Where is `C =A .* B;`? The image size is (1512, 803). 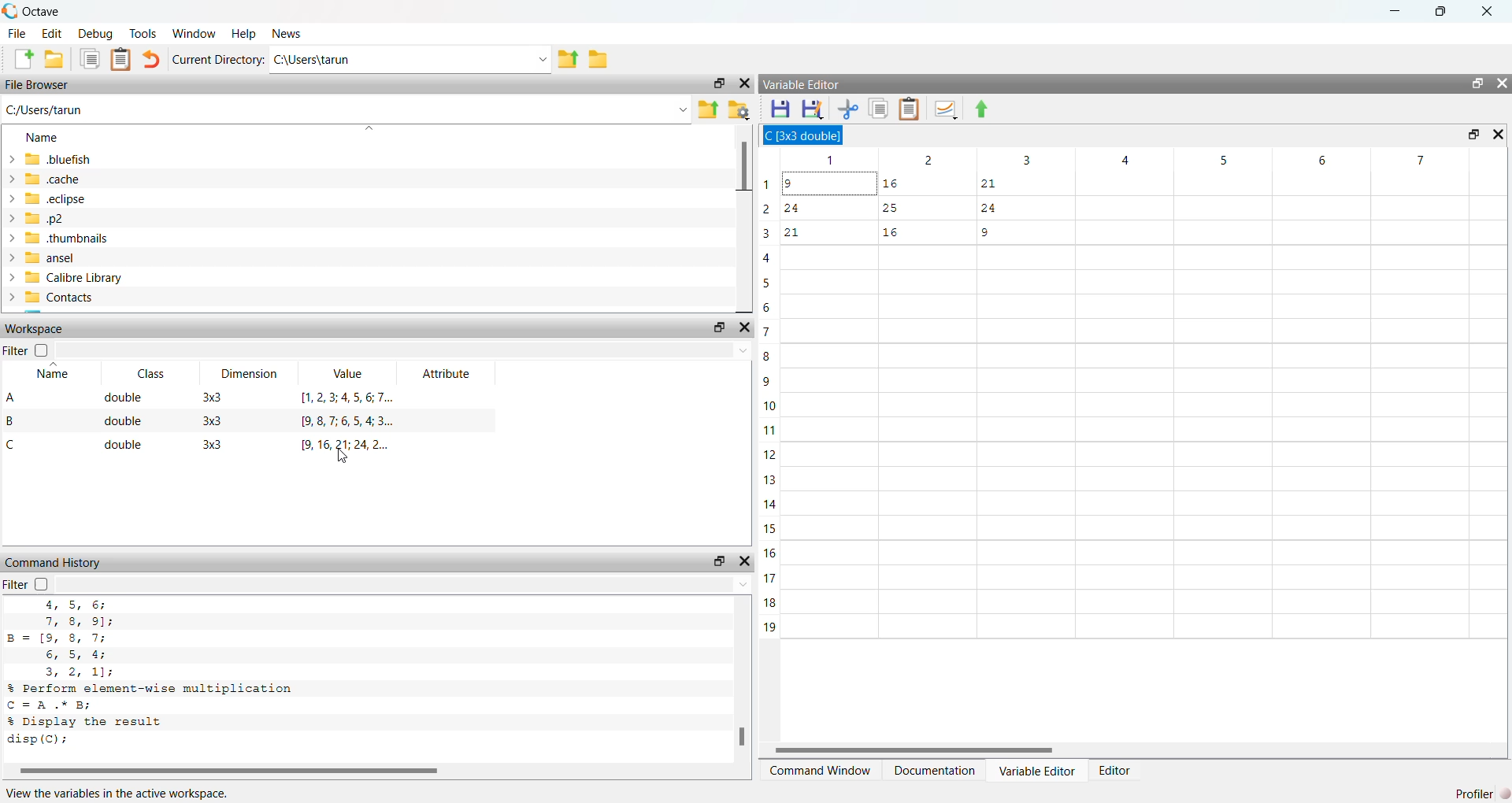 C =A .* B; is located at coordinates (55, 705).